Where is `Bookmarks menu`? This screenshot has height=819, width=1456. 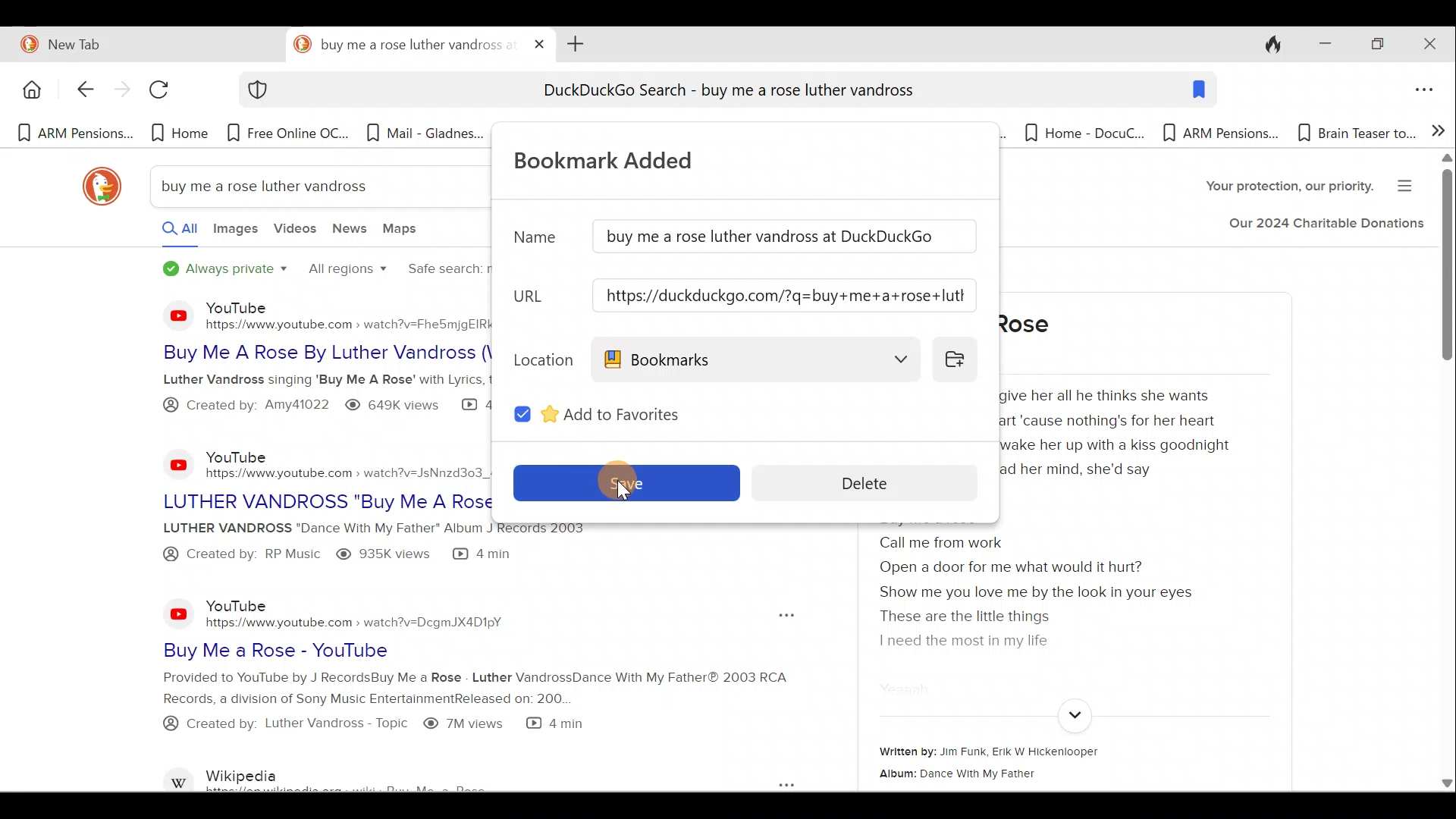 Bookmarks menu is located at coordinates (757, 359).